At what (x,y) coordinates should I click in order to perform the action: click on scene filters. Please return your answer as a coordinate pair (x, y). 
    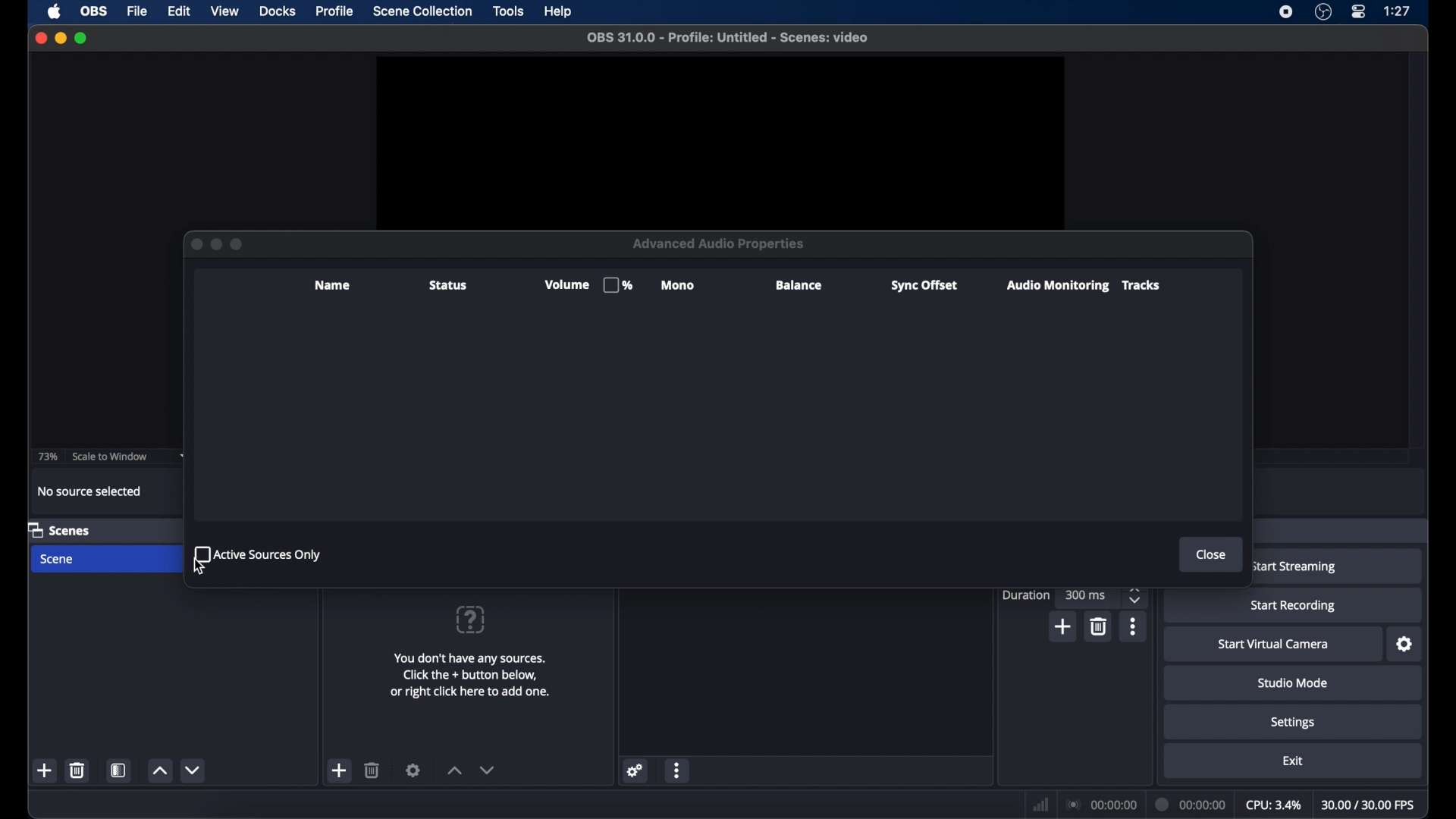
    Looking at the image, I should click on (120, 770).